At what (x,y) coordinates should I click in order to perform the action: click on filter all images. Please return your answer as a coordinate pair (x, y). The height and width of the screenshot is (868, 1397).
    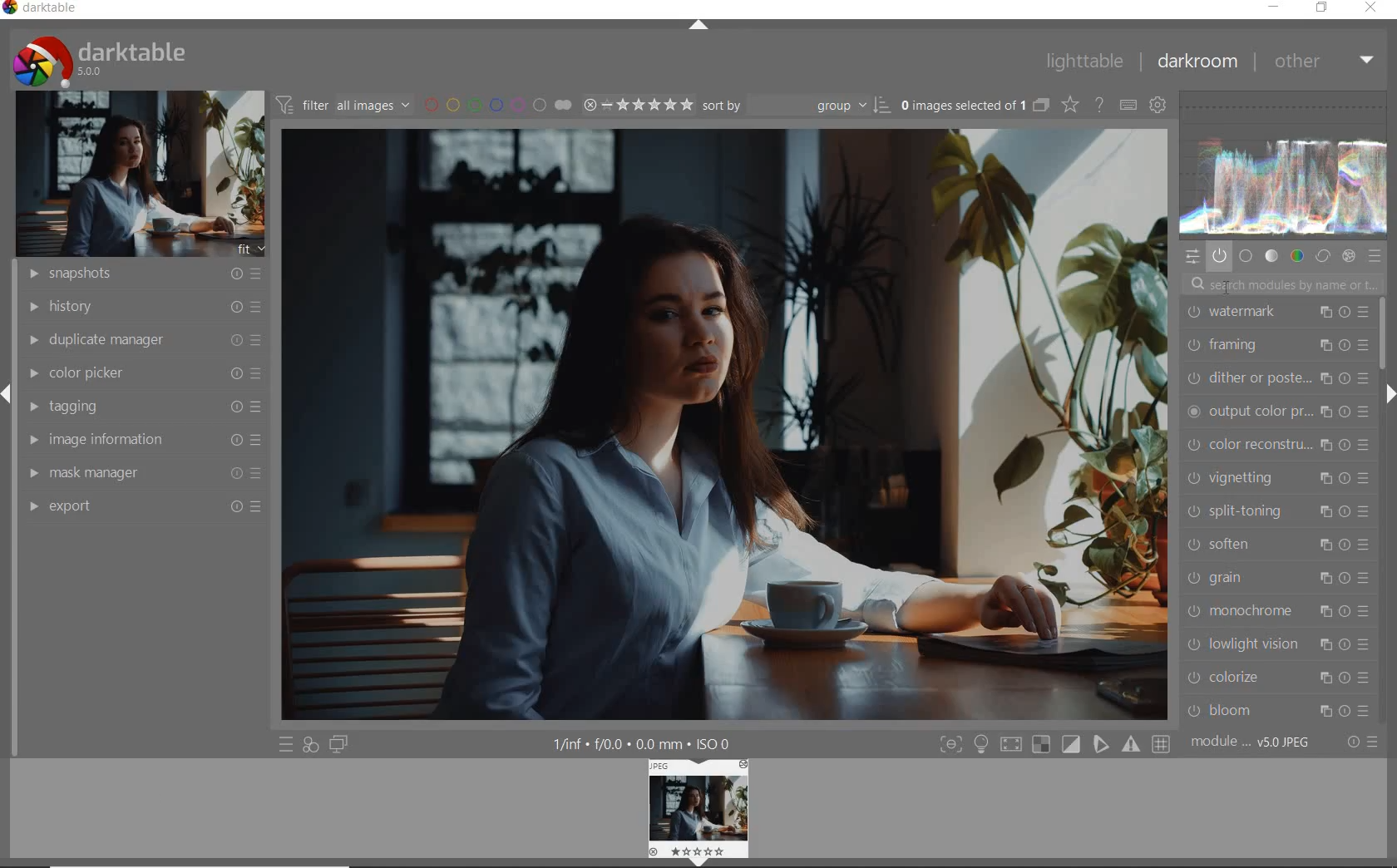
    Looking at the image, I should click on (343, 104).